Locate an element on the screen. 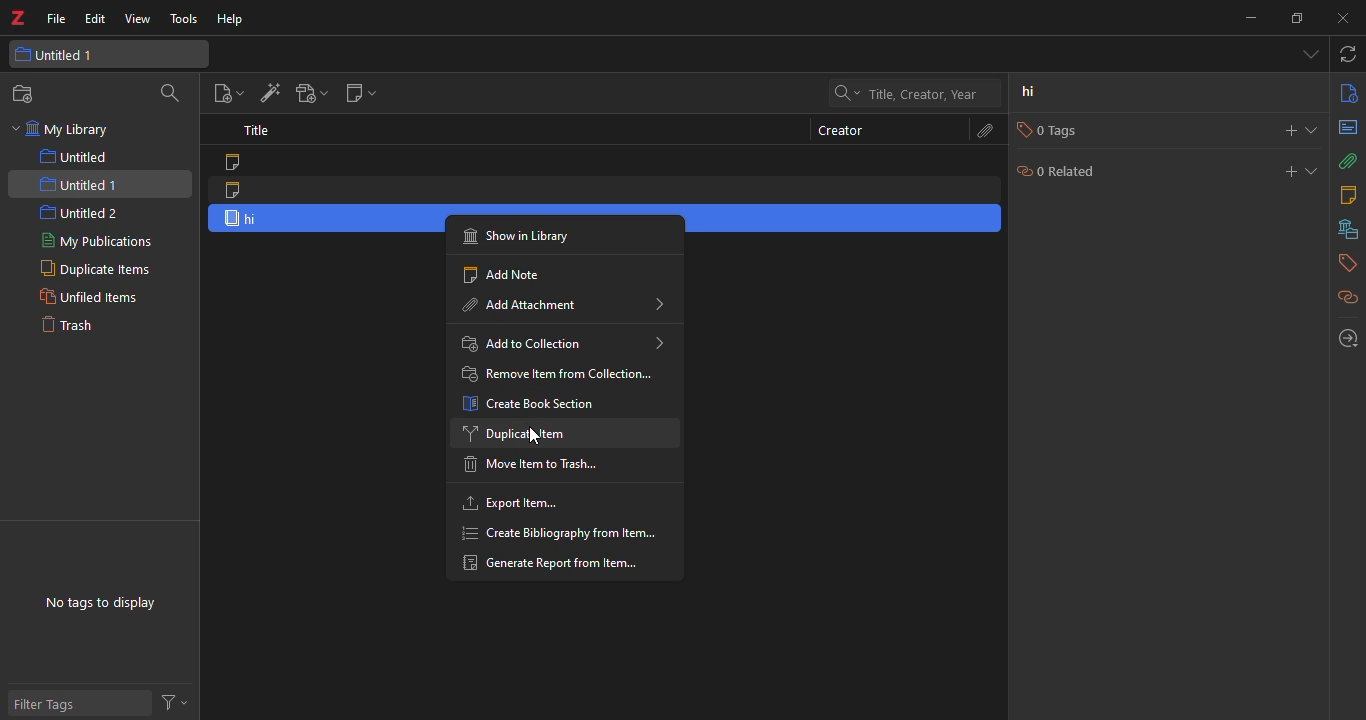  new note is located at coordinates (362, 93).